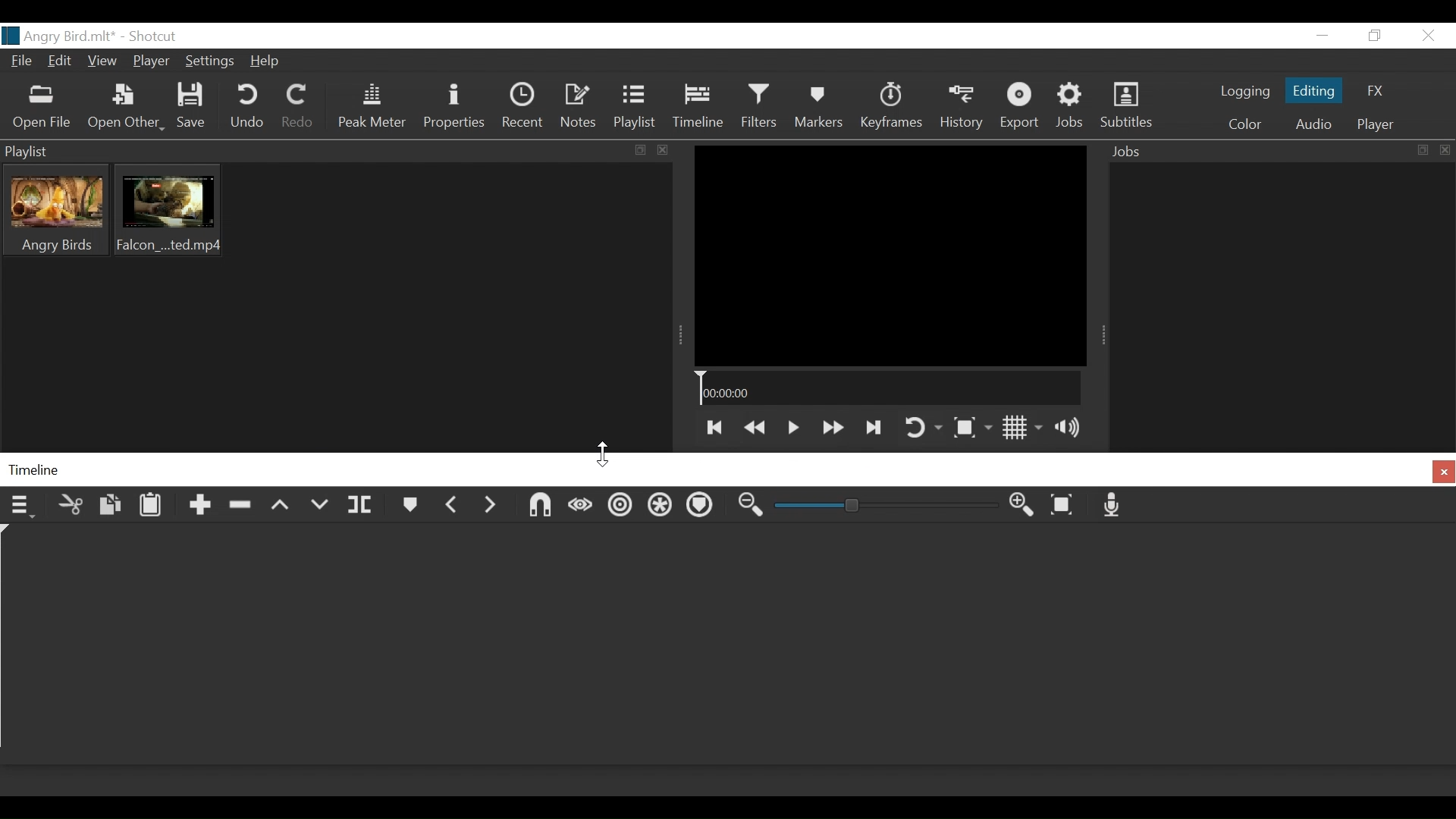 The height and width of the screenshot is (819, 1456). Describe the element at coordinates (638, 108) in the screenshot. I see `Playlist` at that location.